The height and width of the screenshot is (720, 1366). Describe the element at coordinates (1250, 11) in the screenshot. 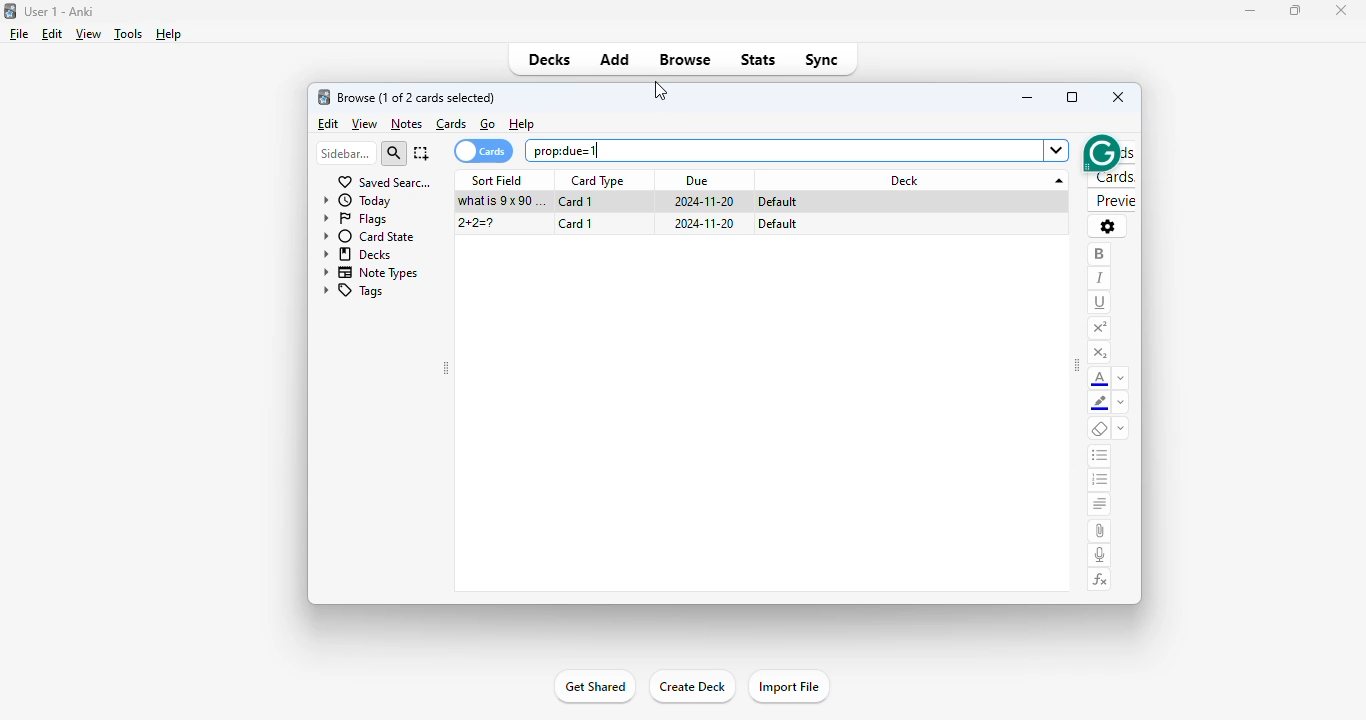

I see `minimize` at that location.